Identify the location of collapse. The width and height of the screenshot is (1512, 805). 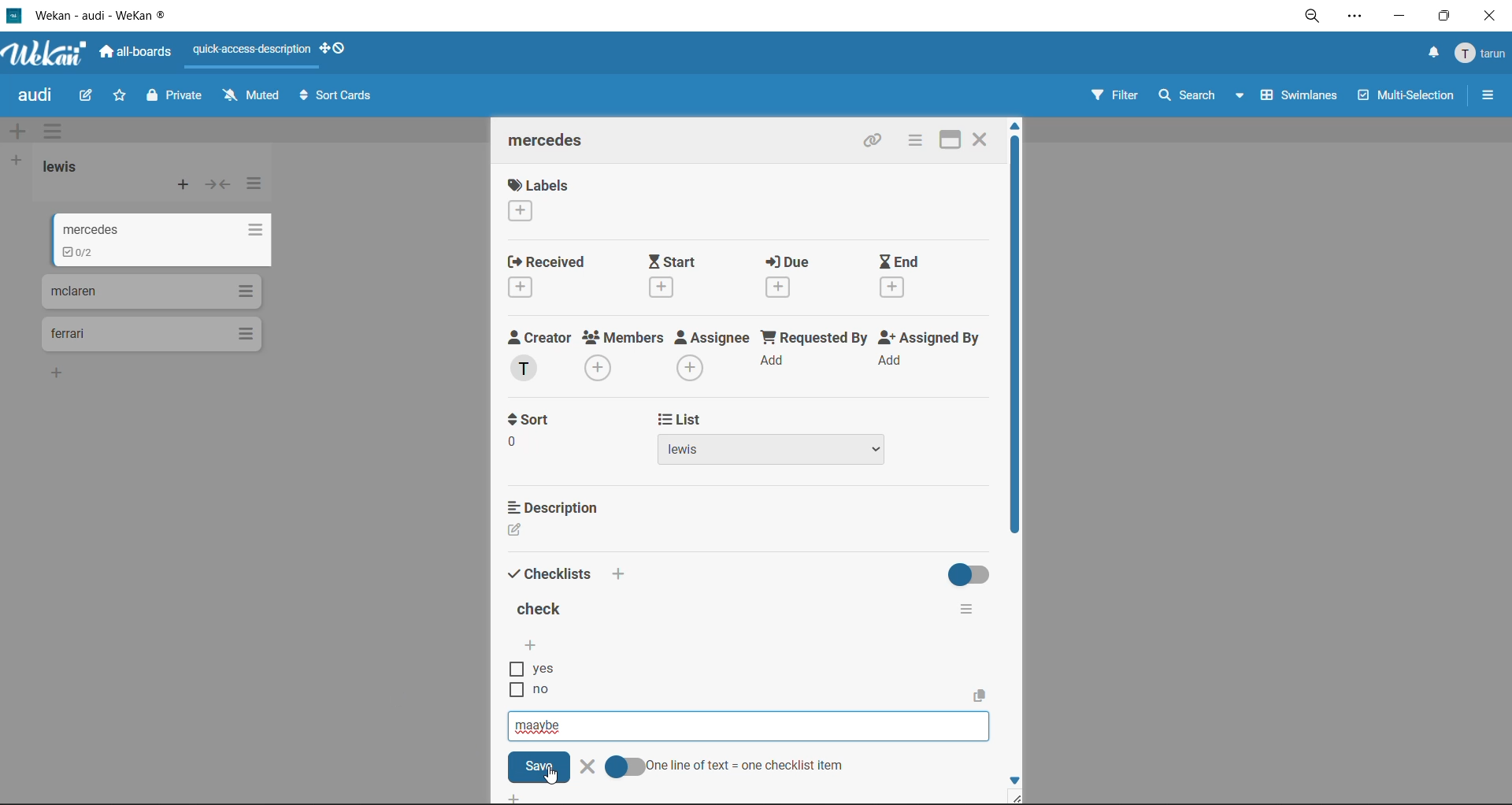
(217, 185).